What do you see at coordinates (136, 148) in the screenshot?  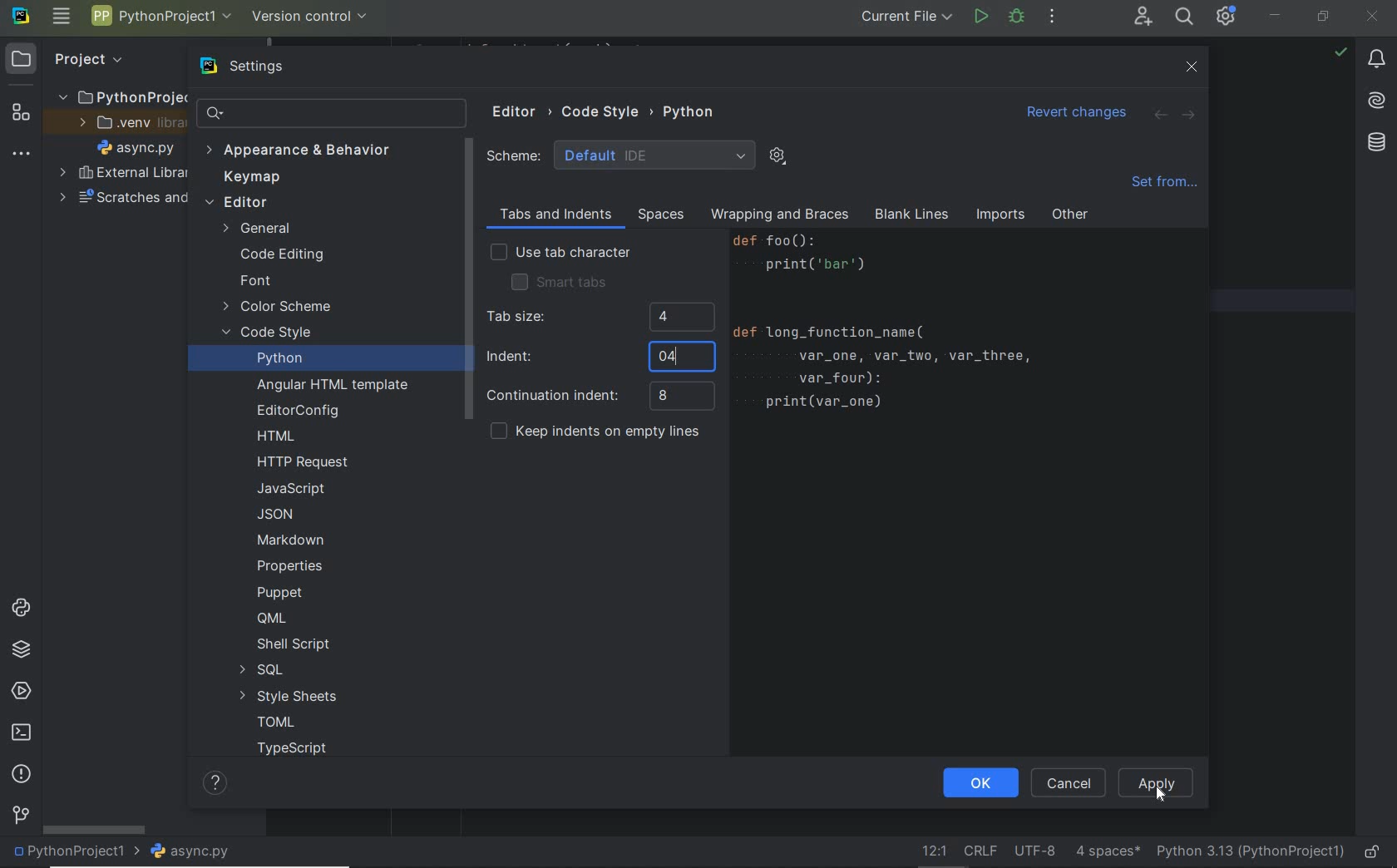 I see `project files` at bounding box center [136, 148].